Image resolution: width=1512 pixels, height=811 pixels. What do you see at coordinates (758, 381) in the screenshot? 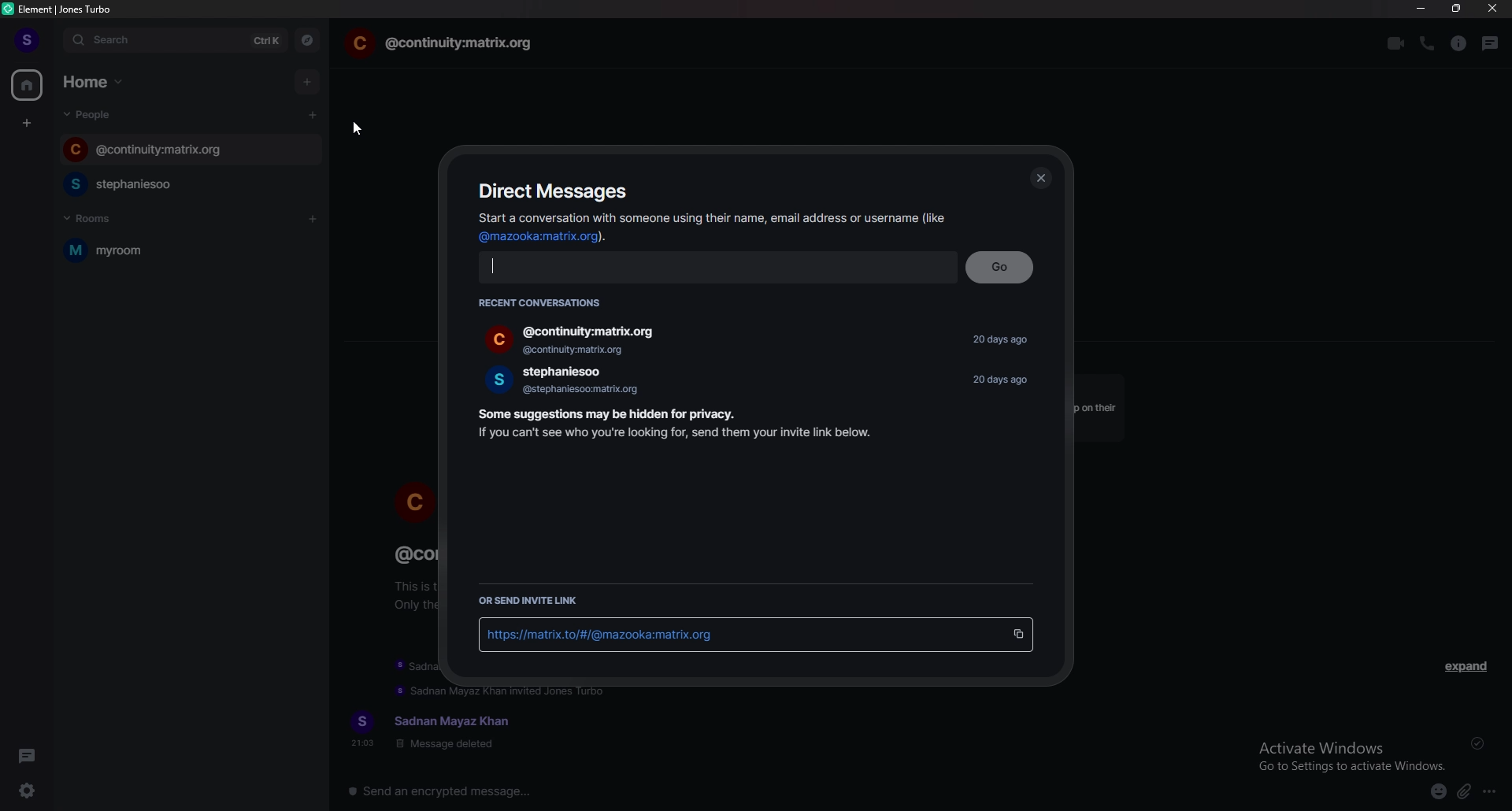
I see `people` at bounding box center [758, 381].